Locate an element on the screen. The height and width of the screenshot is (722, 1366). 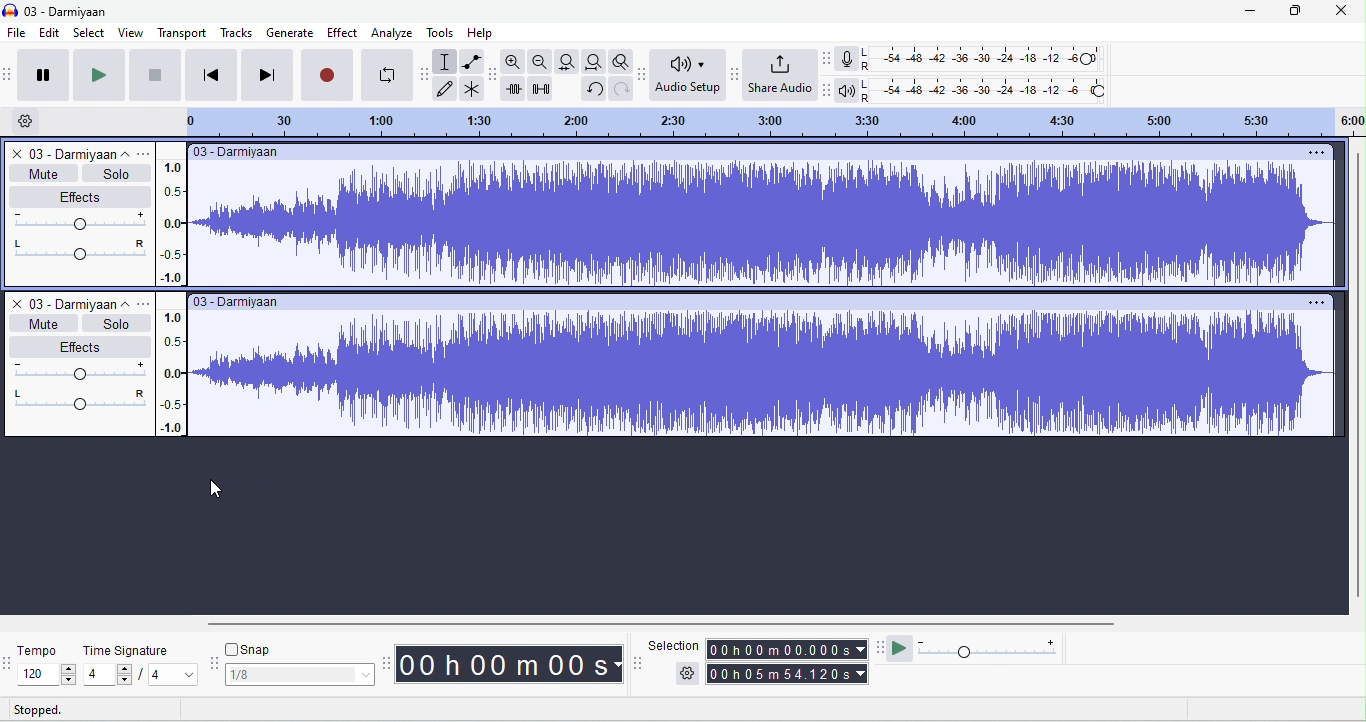
minimize is located at coordinates (1248, 13).